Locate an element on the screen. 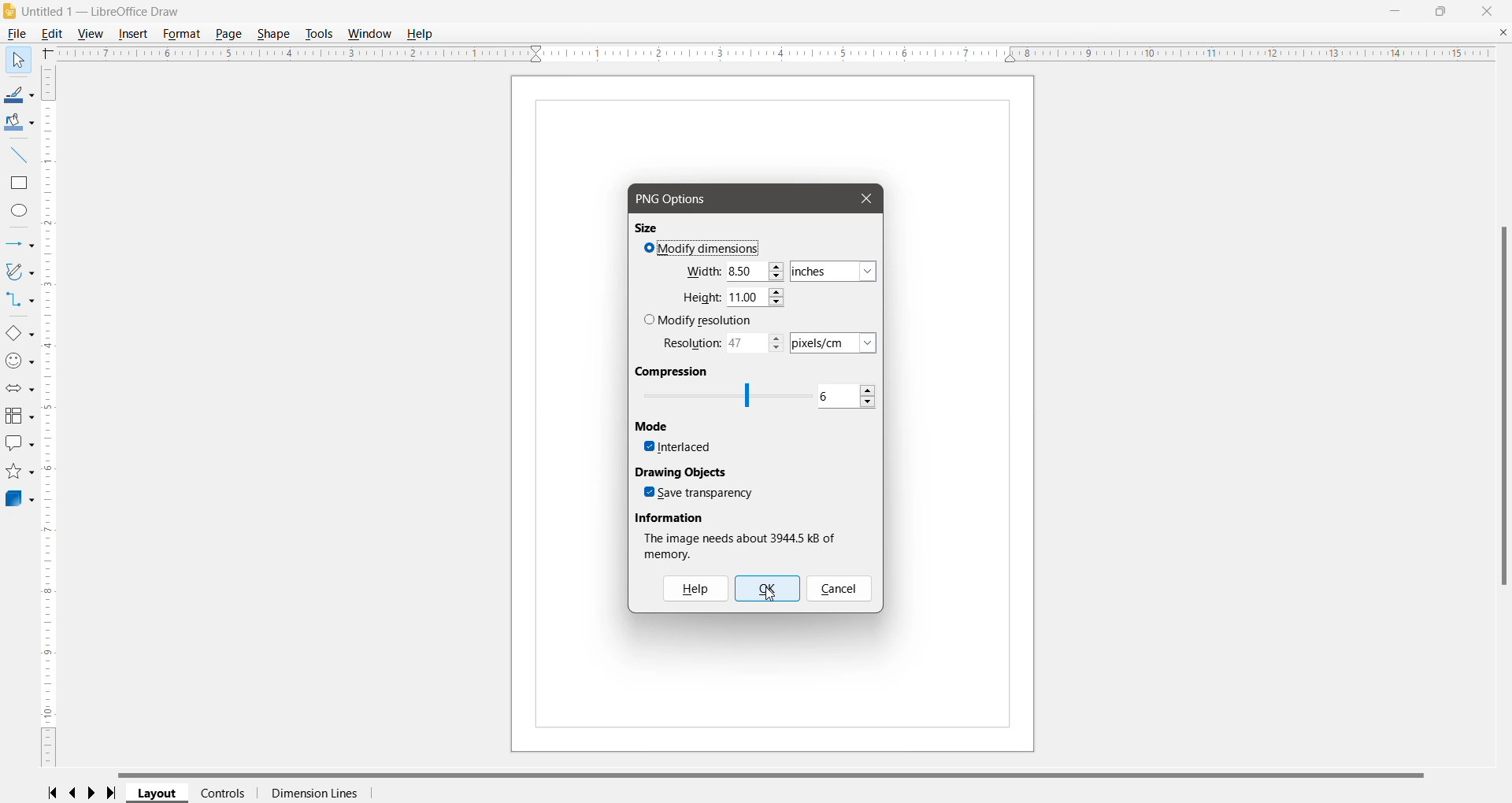 The width and height of the screenshot is (1512, 803). Format is located at coordinates (183, 34).